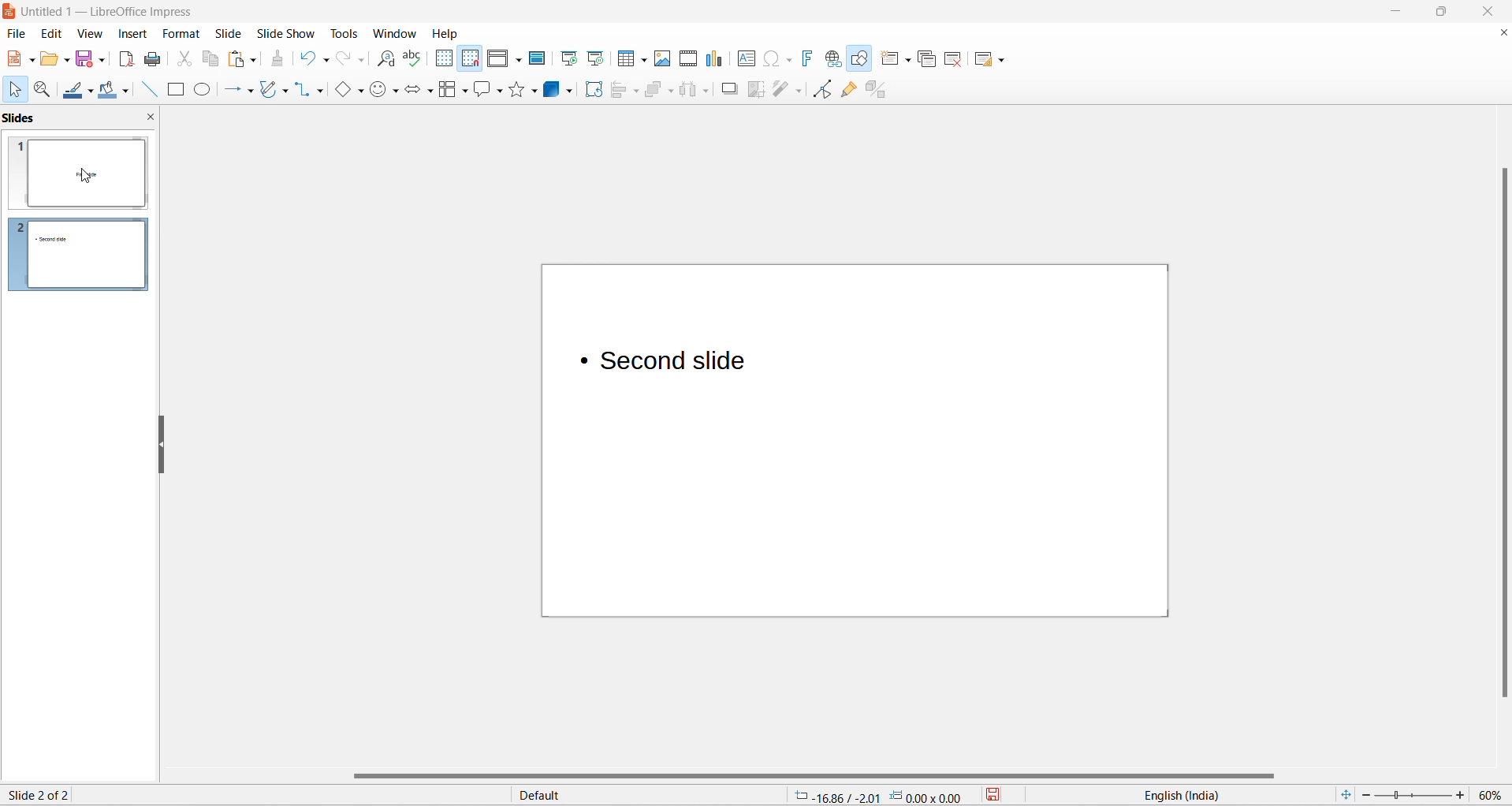 The image size is (1512, 806). What do you see at coordinates (709, 90) in the screenshot?
I see `select at least three objects options` at bounding box center [709, 90].